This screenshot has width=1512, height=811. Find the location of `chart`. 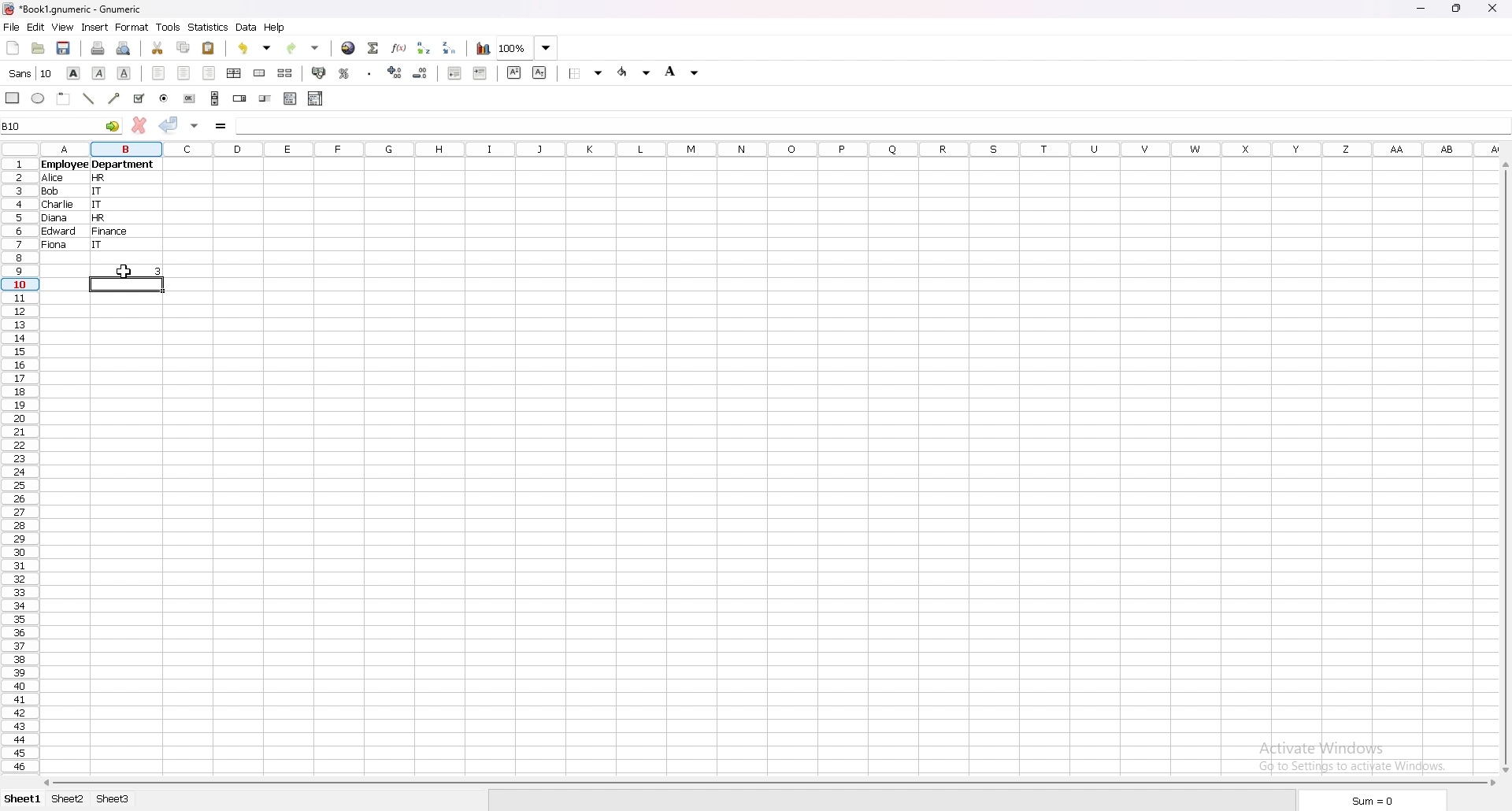

chart is located at coordinates (484, 48).